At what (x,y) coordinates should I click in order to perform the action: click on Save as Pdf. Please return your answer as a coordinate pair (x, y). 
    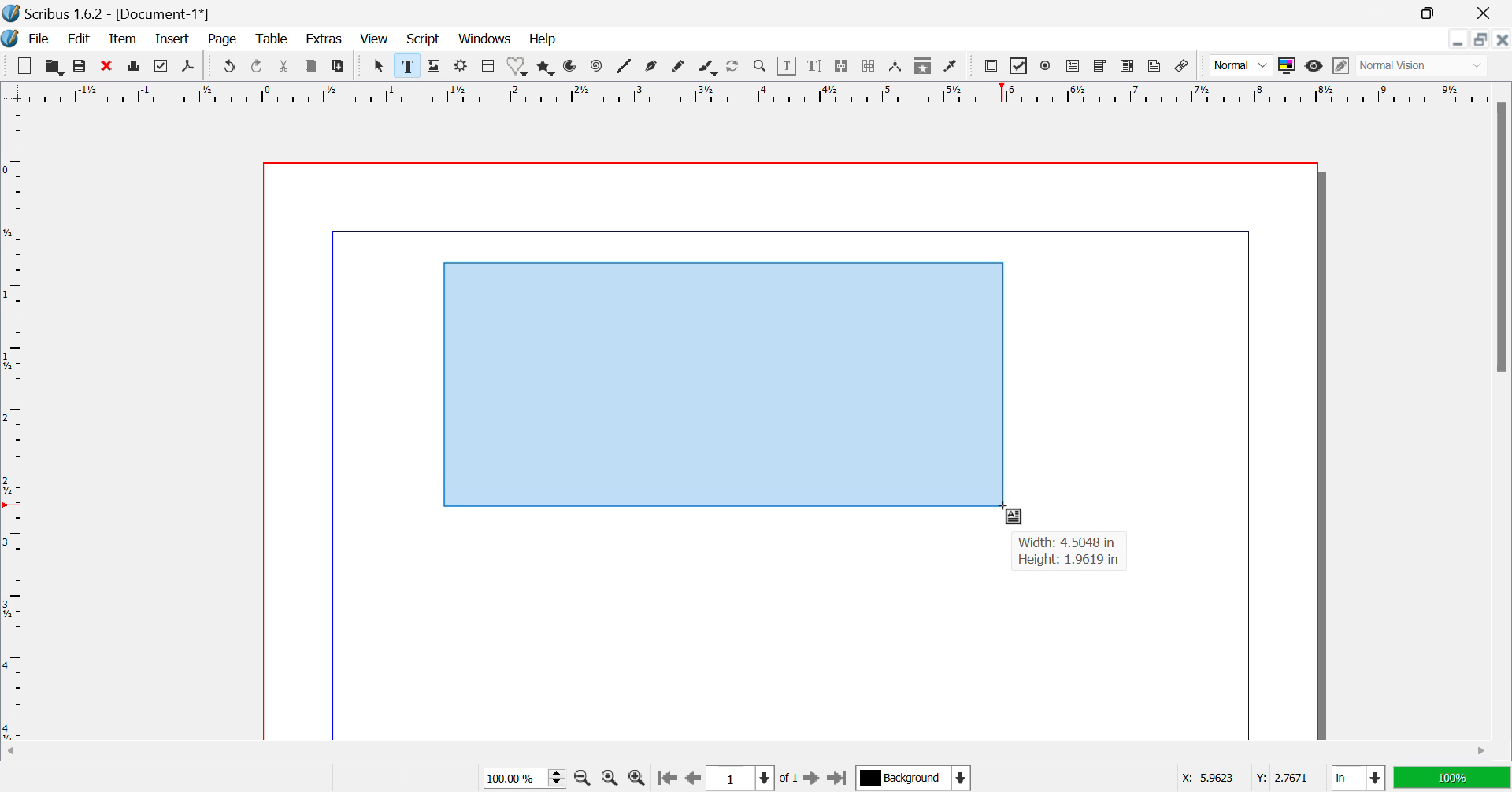
    Looking at the image, I should click on (192, 67).